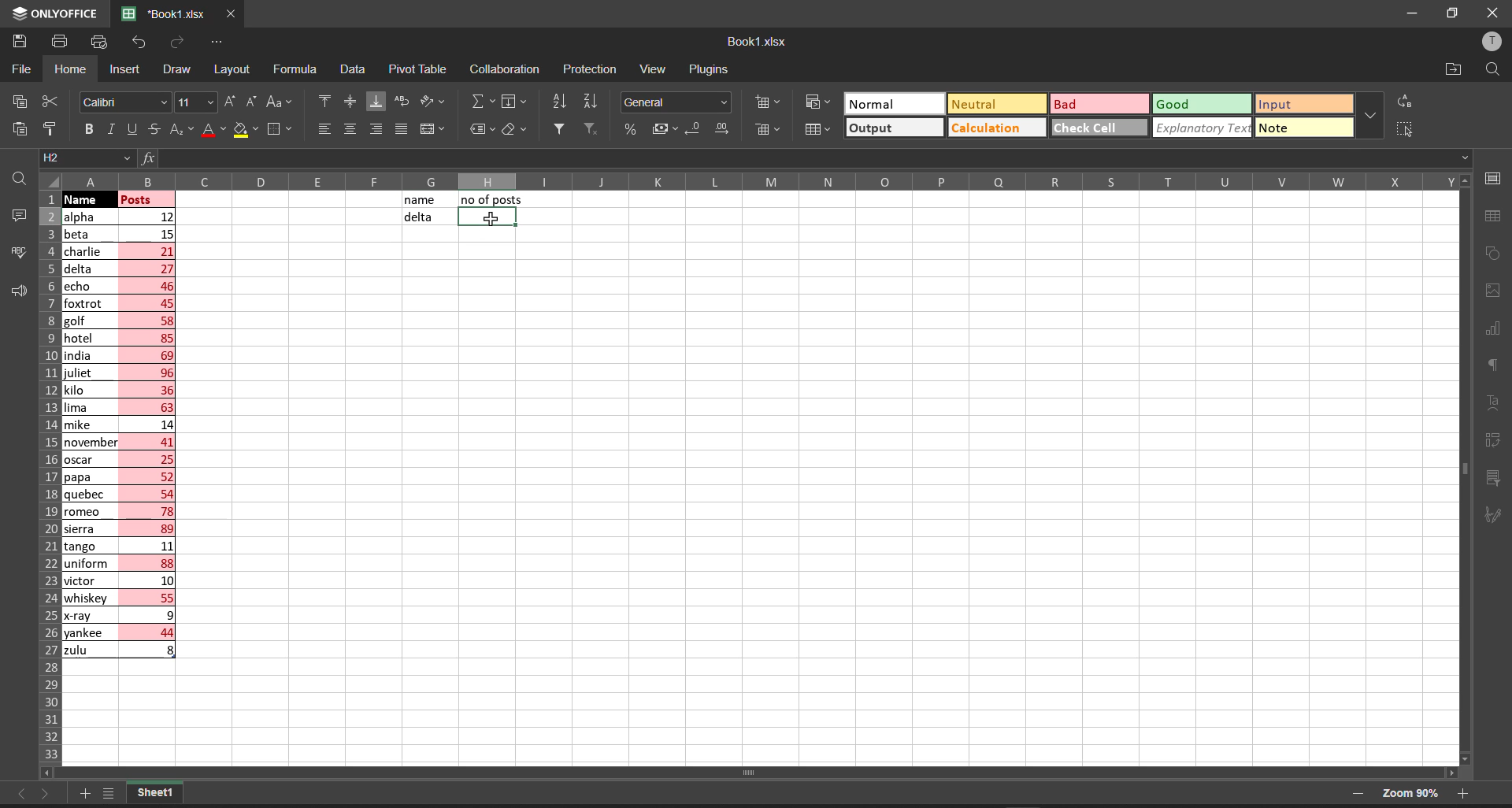 The image size is (1512, 808). What do you see at coordinates (154, 131) in the screenshot?
I see `strikethrough` at bounding box center [154, 131].